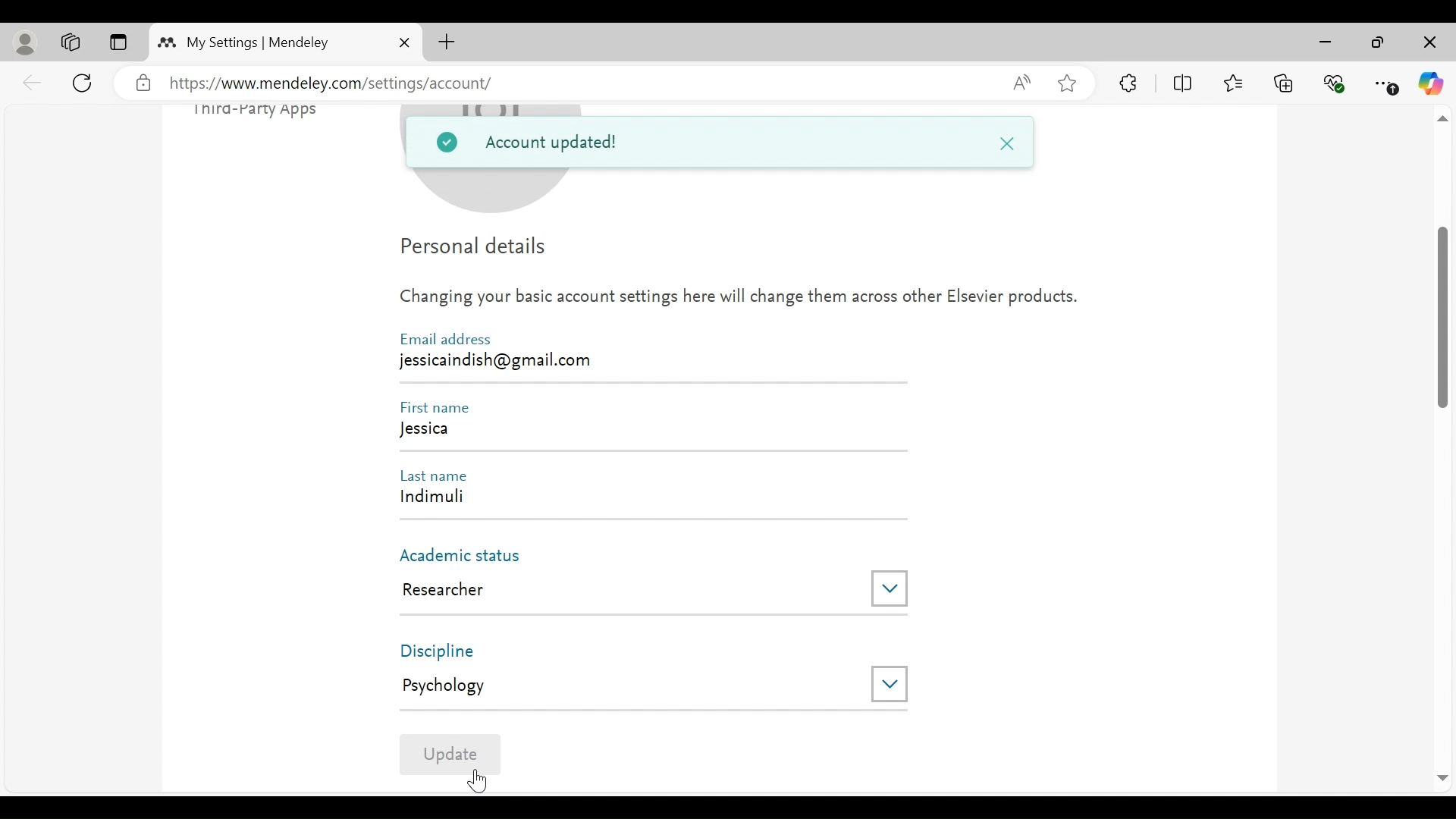 This screenshot has height=819, width=1456. I want to click on Last Name, so click(440, 474).